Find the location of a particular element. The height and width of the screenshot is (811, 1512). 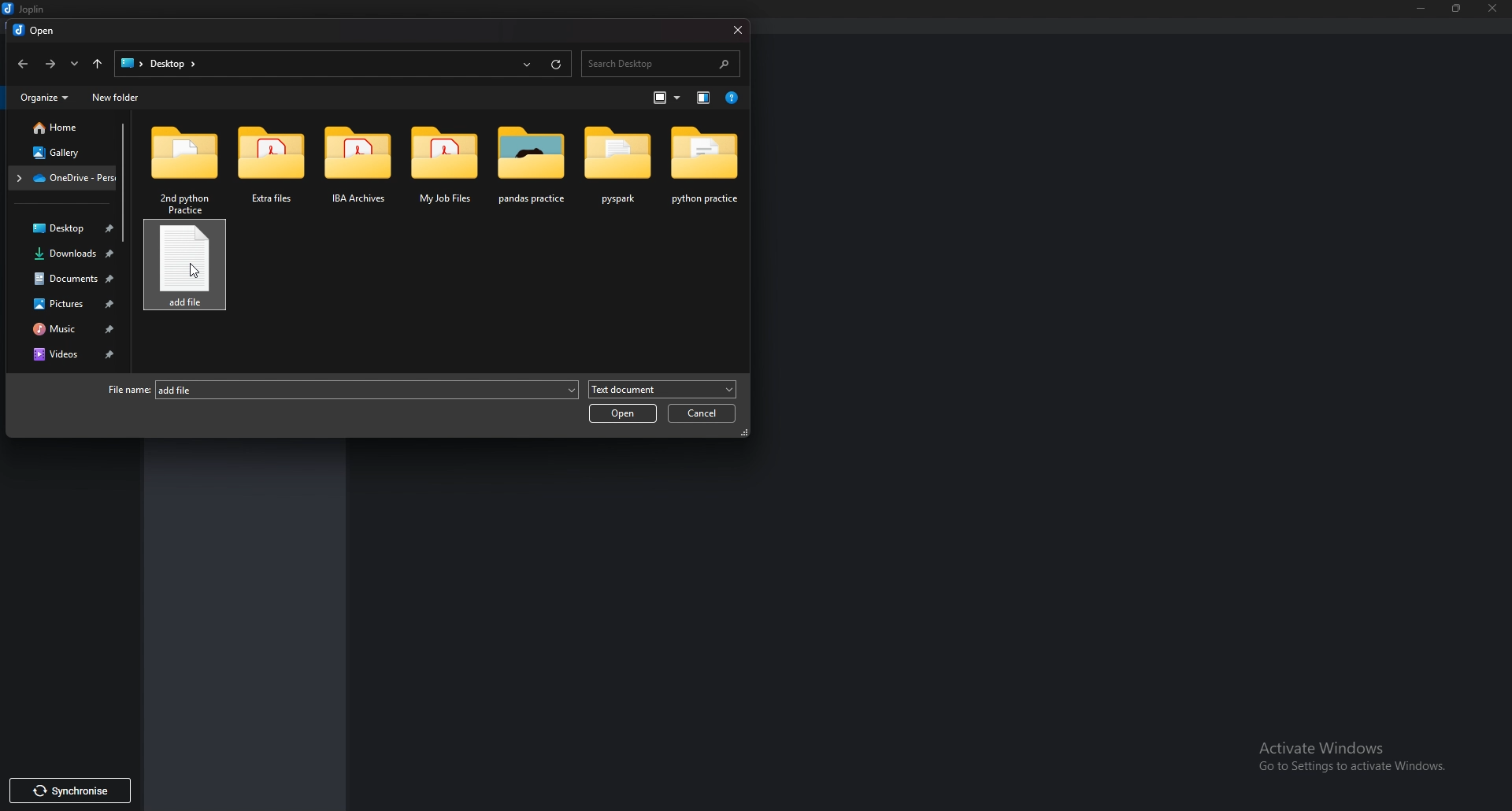

forward is located at coordinates (52, 63).